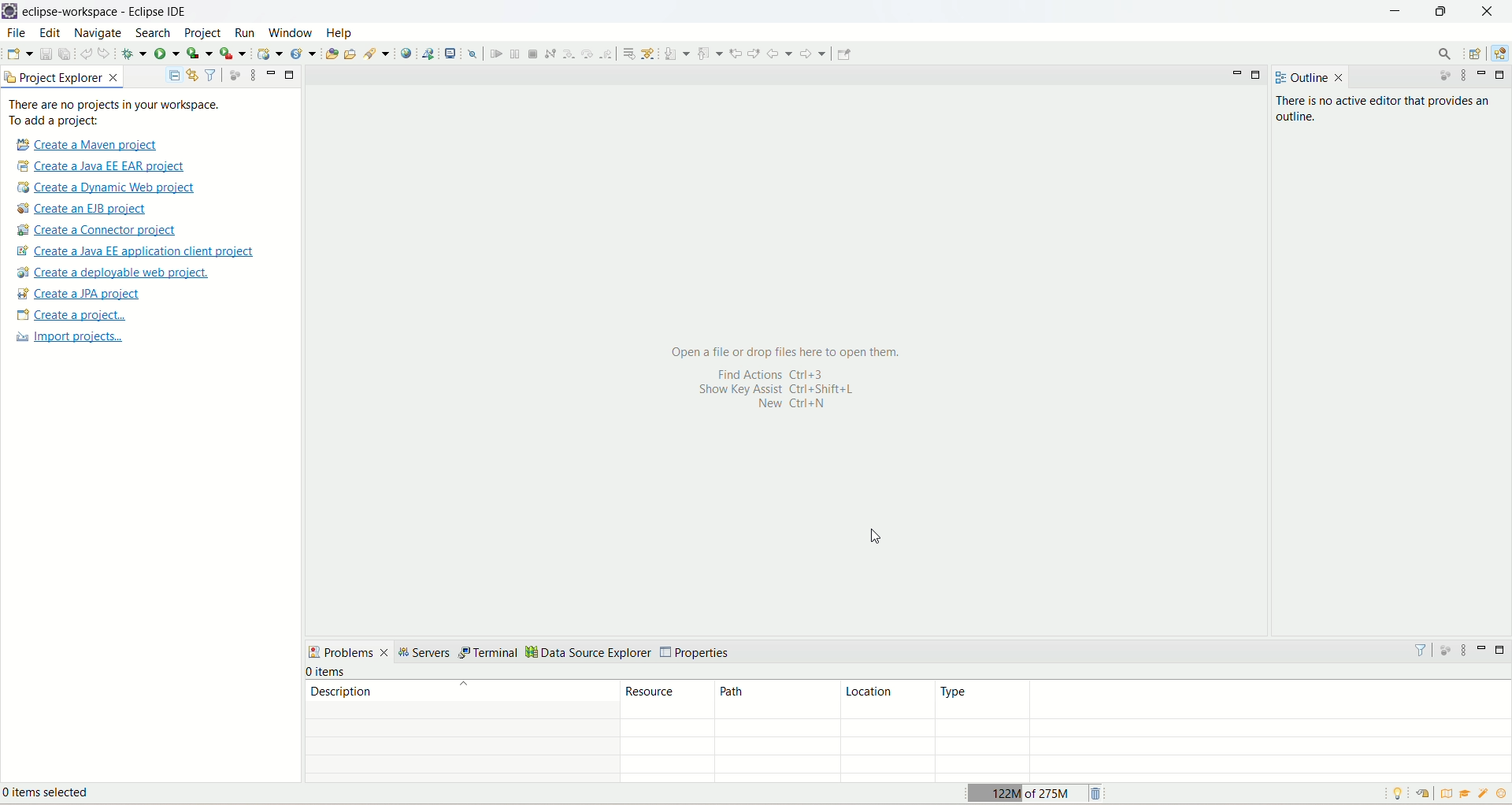  Describe the element at coordinates (736, 54) in the screenshot. I see `previous edit location` at that location.